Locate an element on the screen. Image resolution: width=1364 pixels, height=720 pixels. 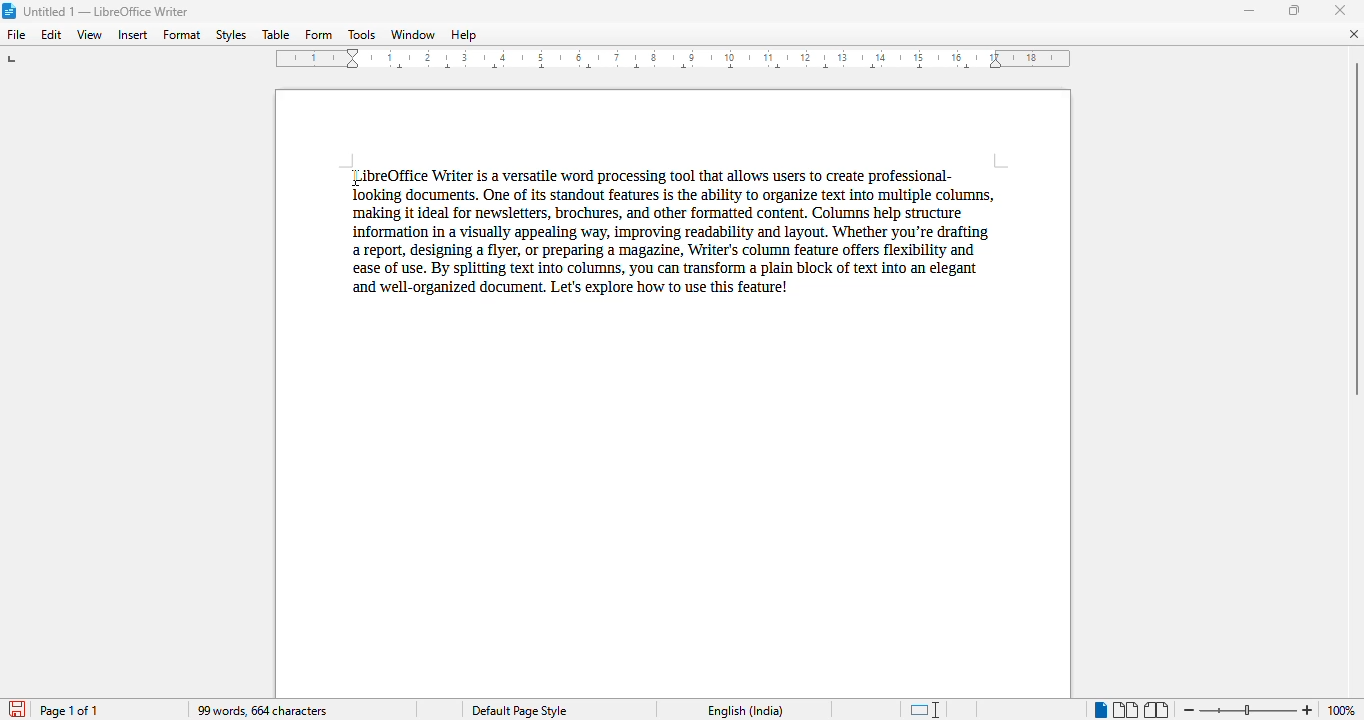
format is located at coordinates (183, 35).